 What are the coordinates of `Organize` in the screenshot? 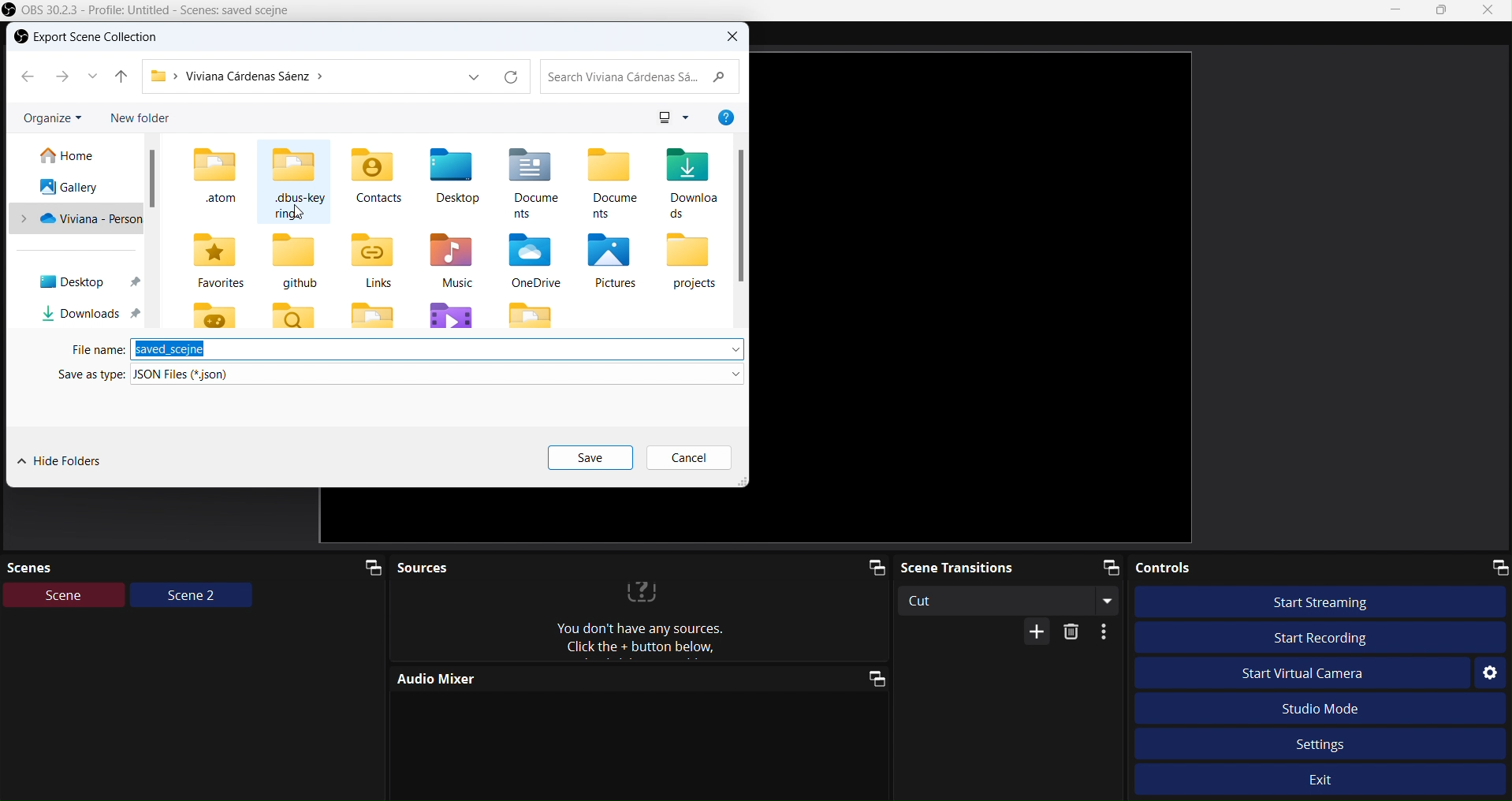 It's located at (48, 121).